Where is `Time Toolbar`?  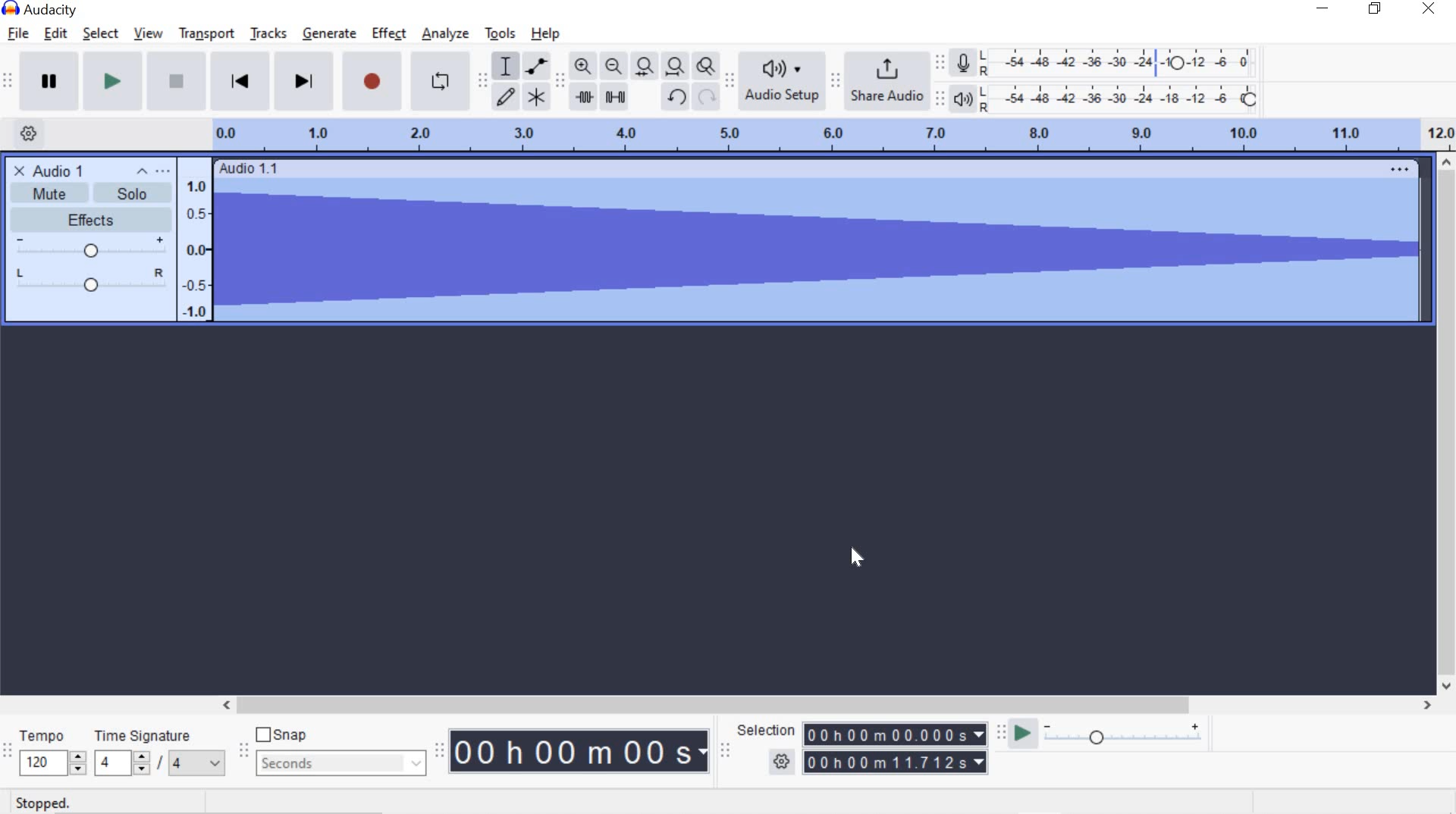
Time Toolbar is located at coordinates (441, 750).